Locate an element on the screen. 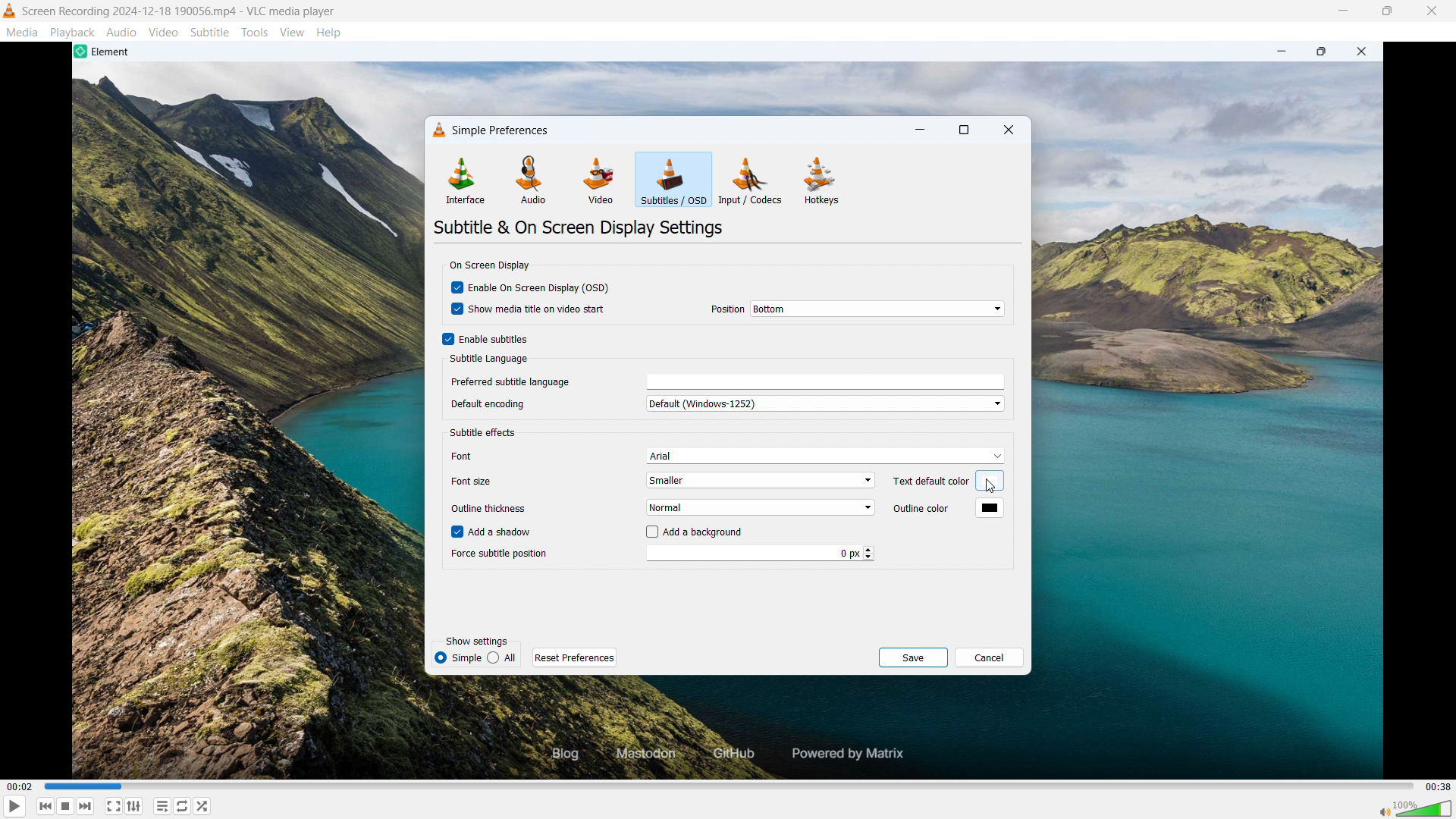 The image size is (1456, 819). Help  is located at coordinates (329, 32).